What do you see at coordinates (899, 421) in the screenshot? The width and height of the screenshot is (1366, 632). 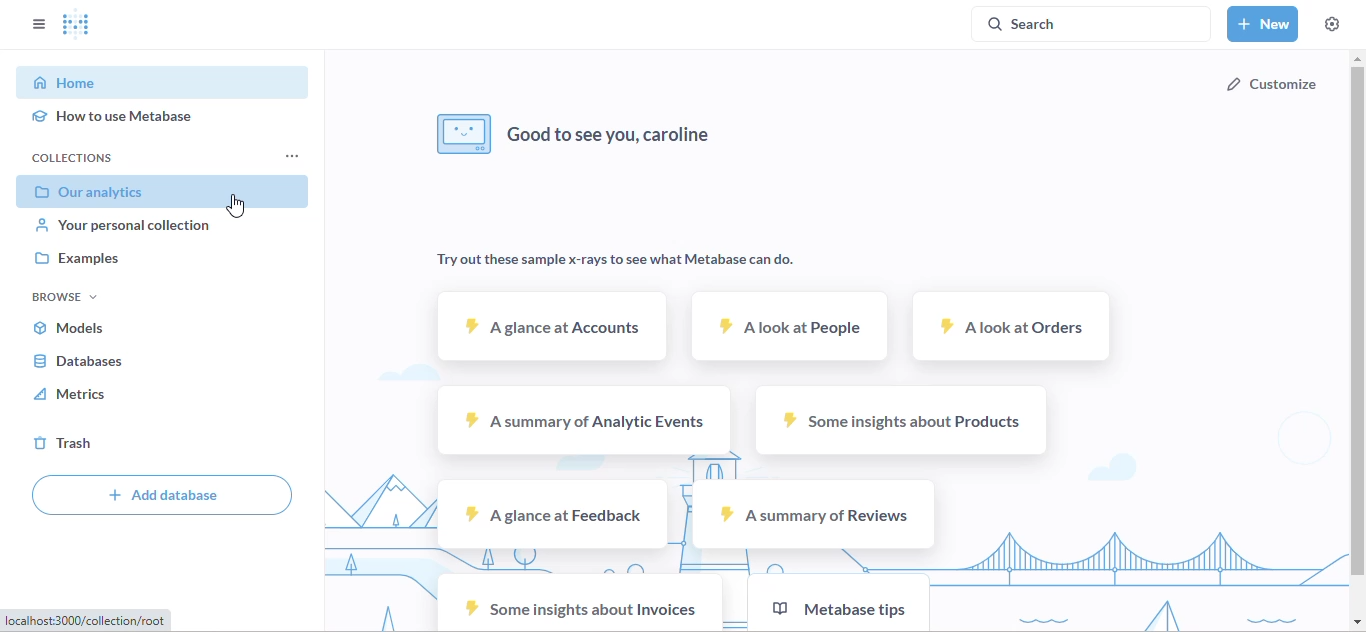 I see `some insights about products` at bounding box center [899, 421].